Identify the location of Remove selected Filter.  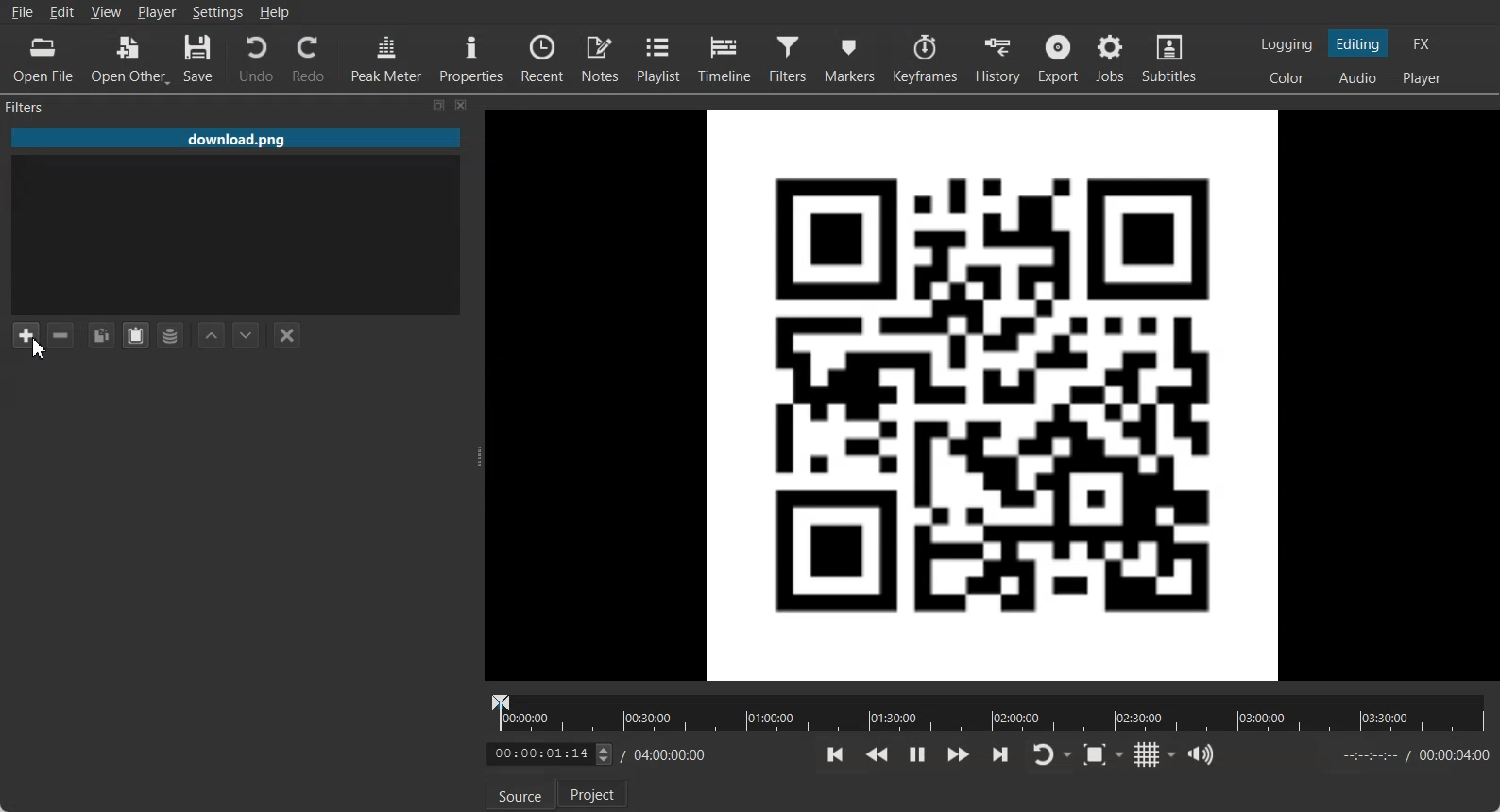
(60, 334).